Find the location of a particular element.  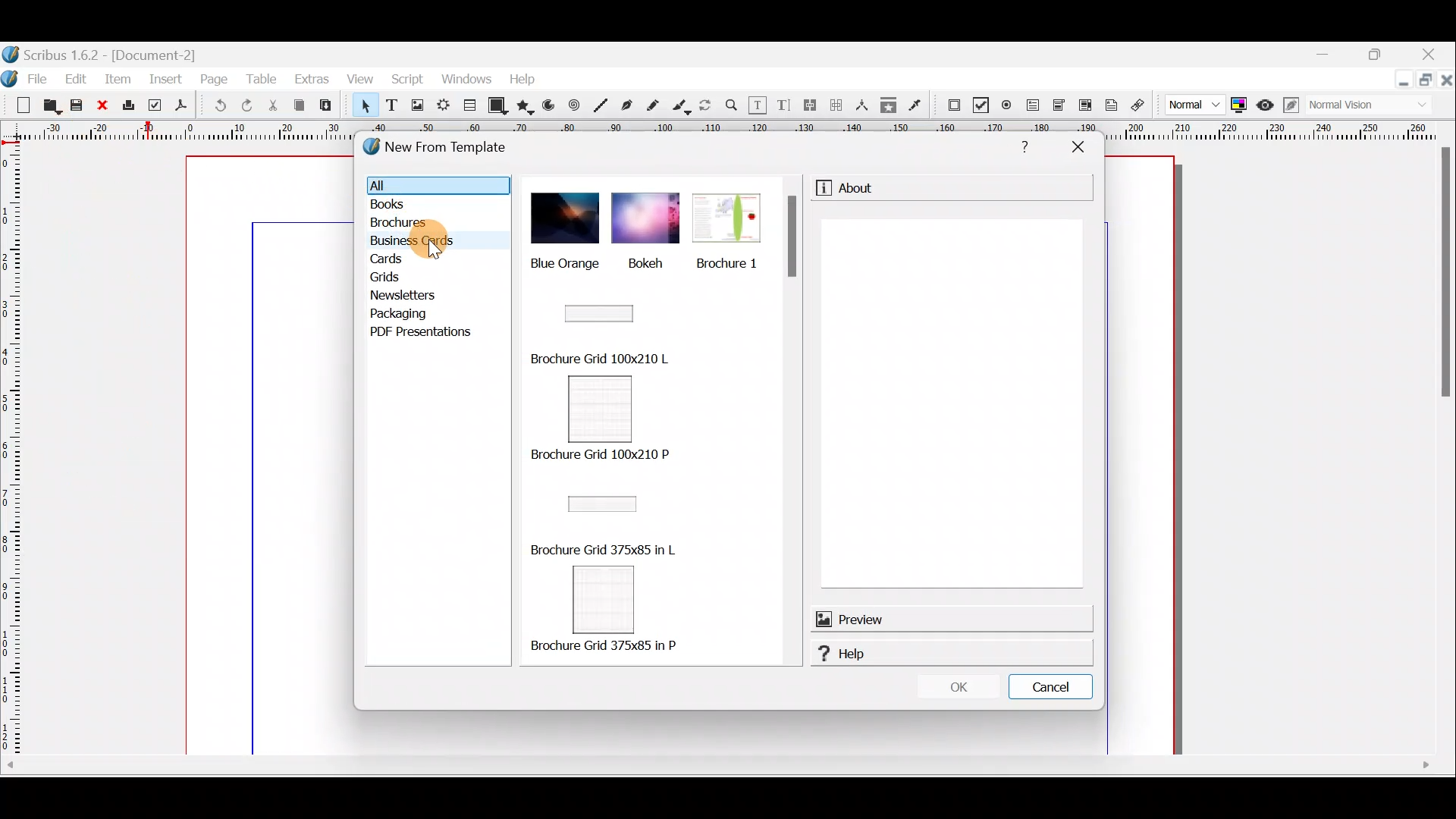

New from template is located at coordinates (447, 149).